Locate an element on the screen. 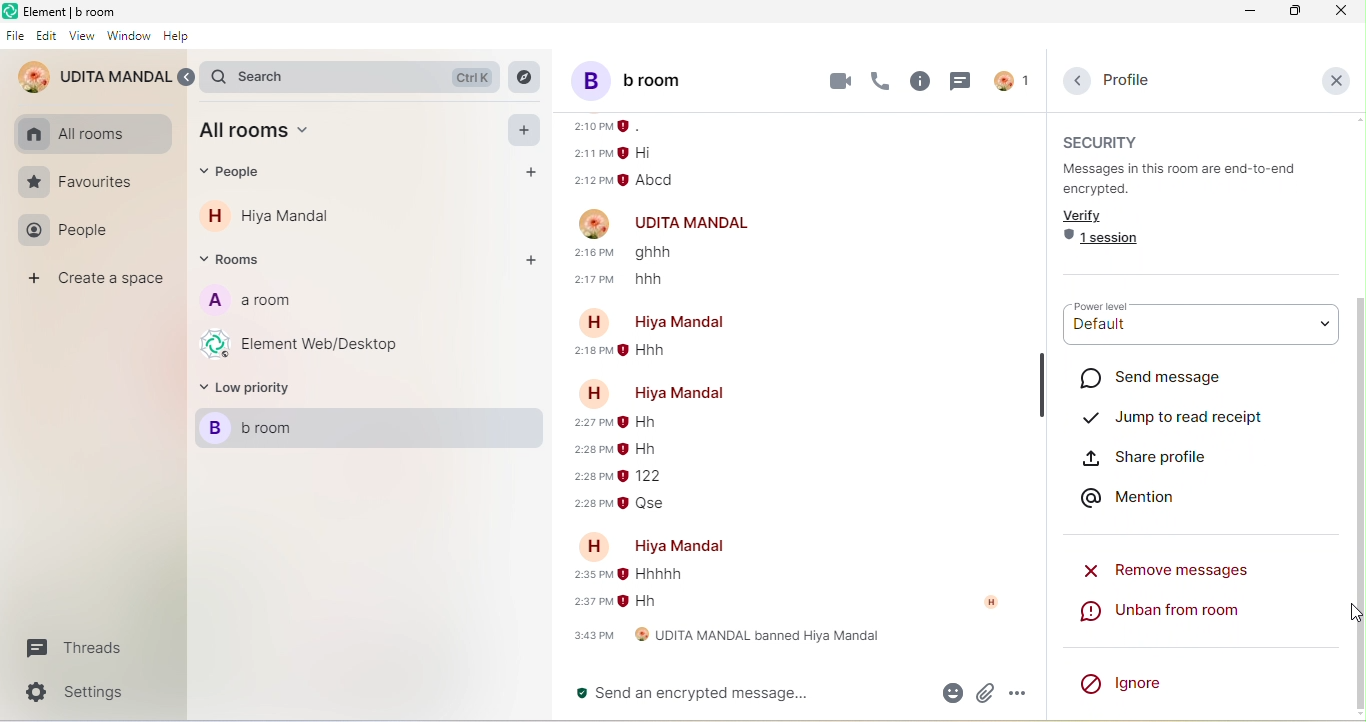  favourites is located at coordinates (78, 183).